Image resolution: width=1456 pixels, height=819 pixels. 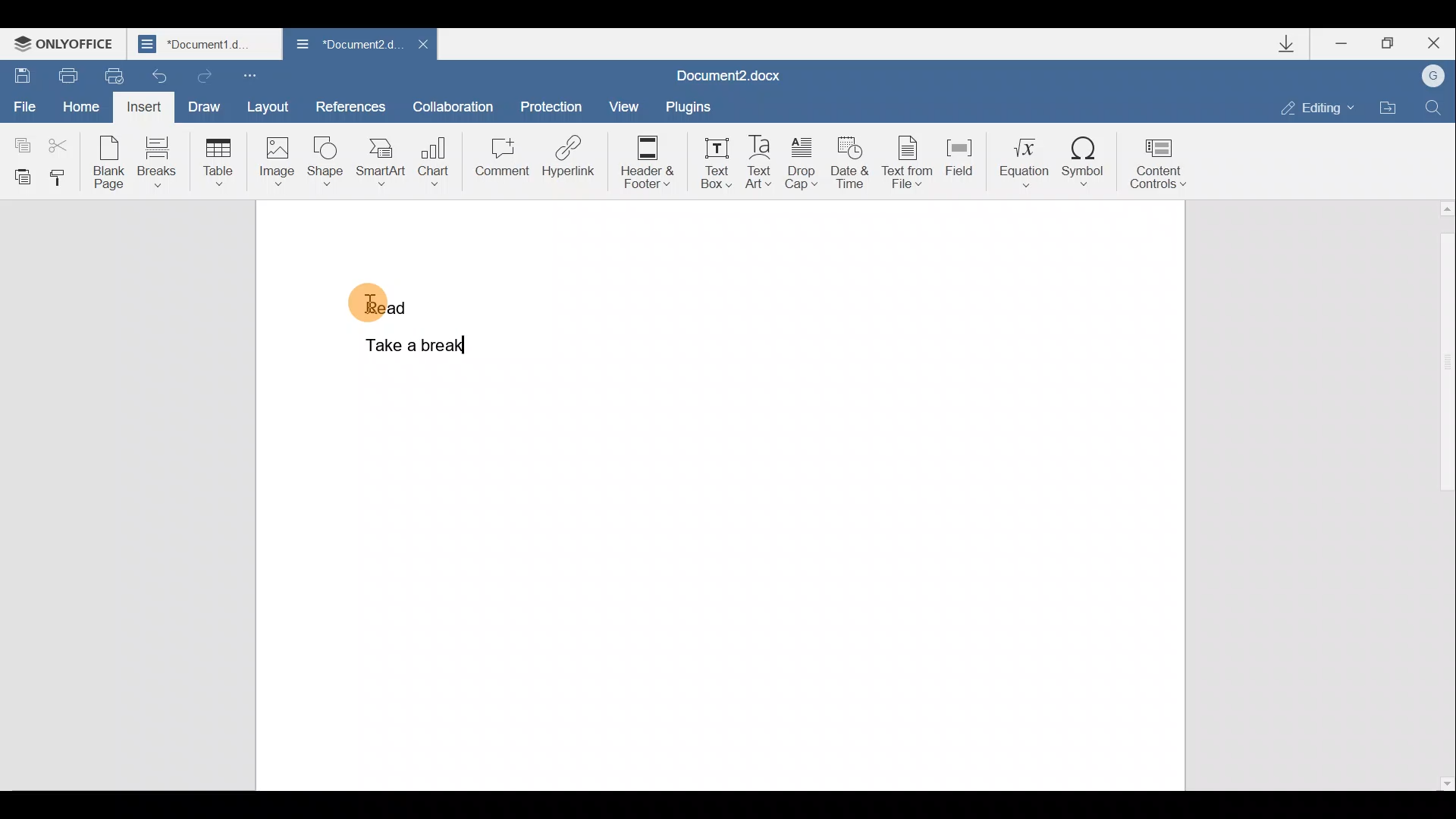 What do you see at coordinates (1394, 42) in the screenshot?
I see `Maximize` at bounding box center [1394, 42].